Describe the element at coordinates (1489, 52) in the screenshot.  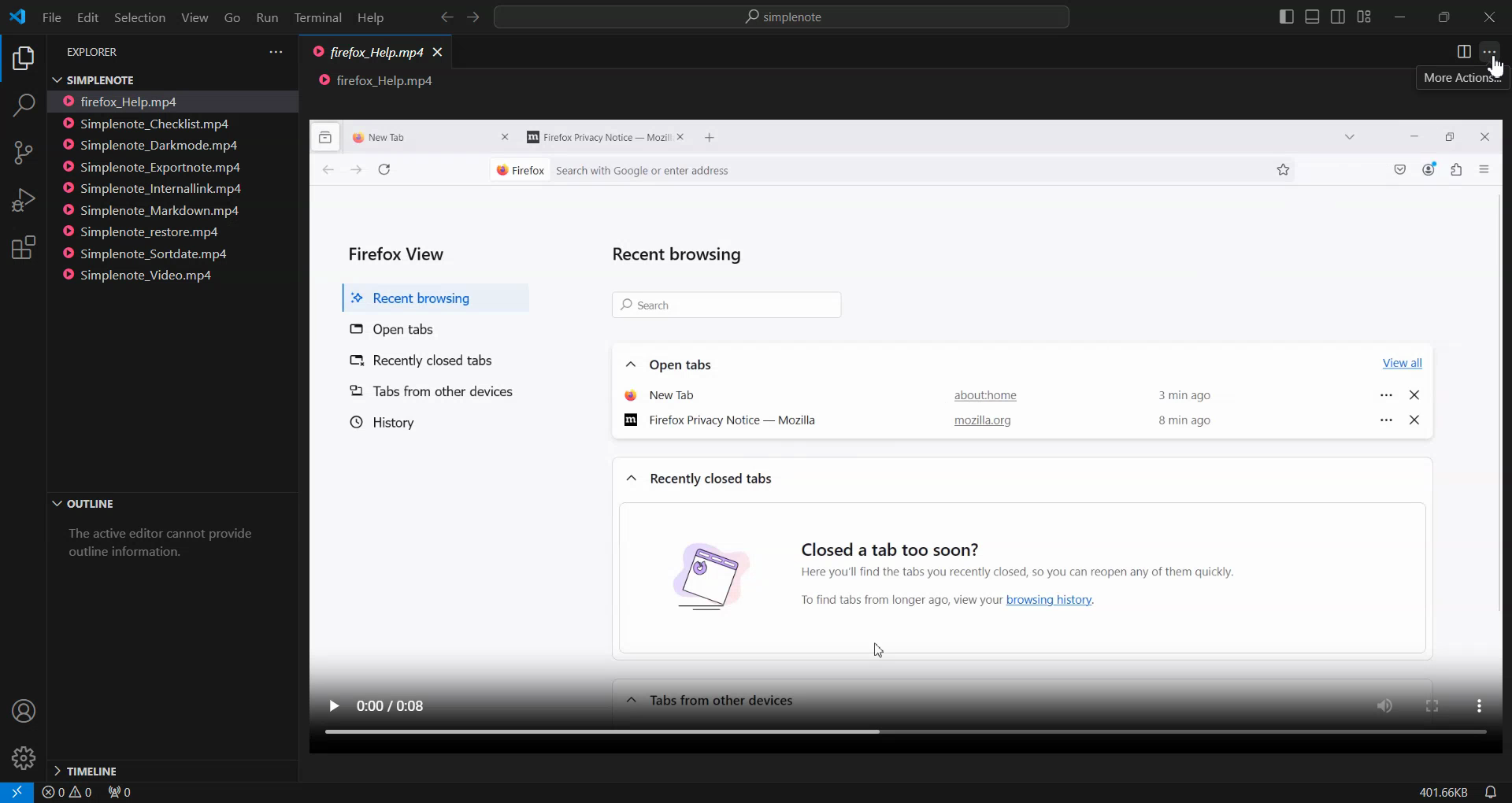
I see `More Action` at that location.